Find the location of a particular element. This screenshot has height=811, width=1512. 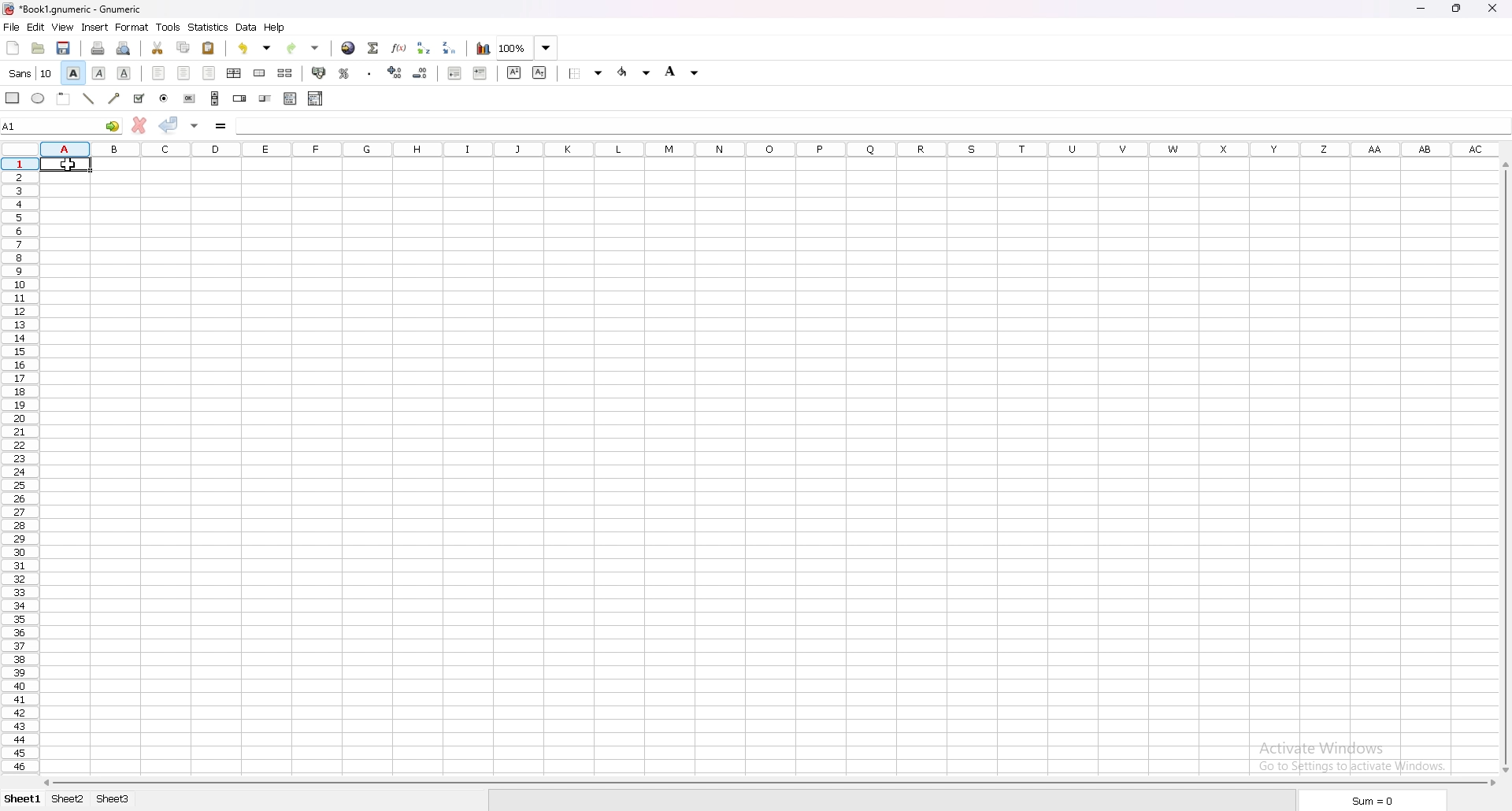

redo is located at coordinates (301, 48).